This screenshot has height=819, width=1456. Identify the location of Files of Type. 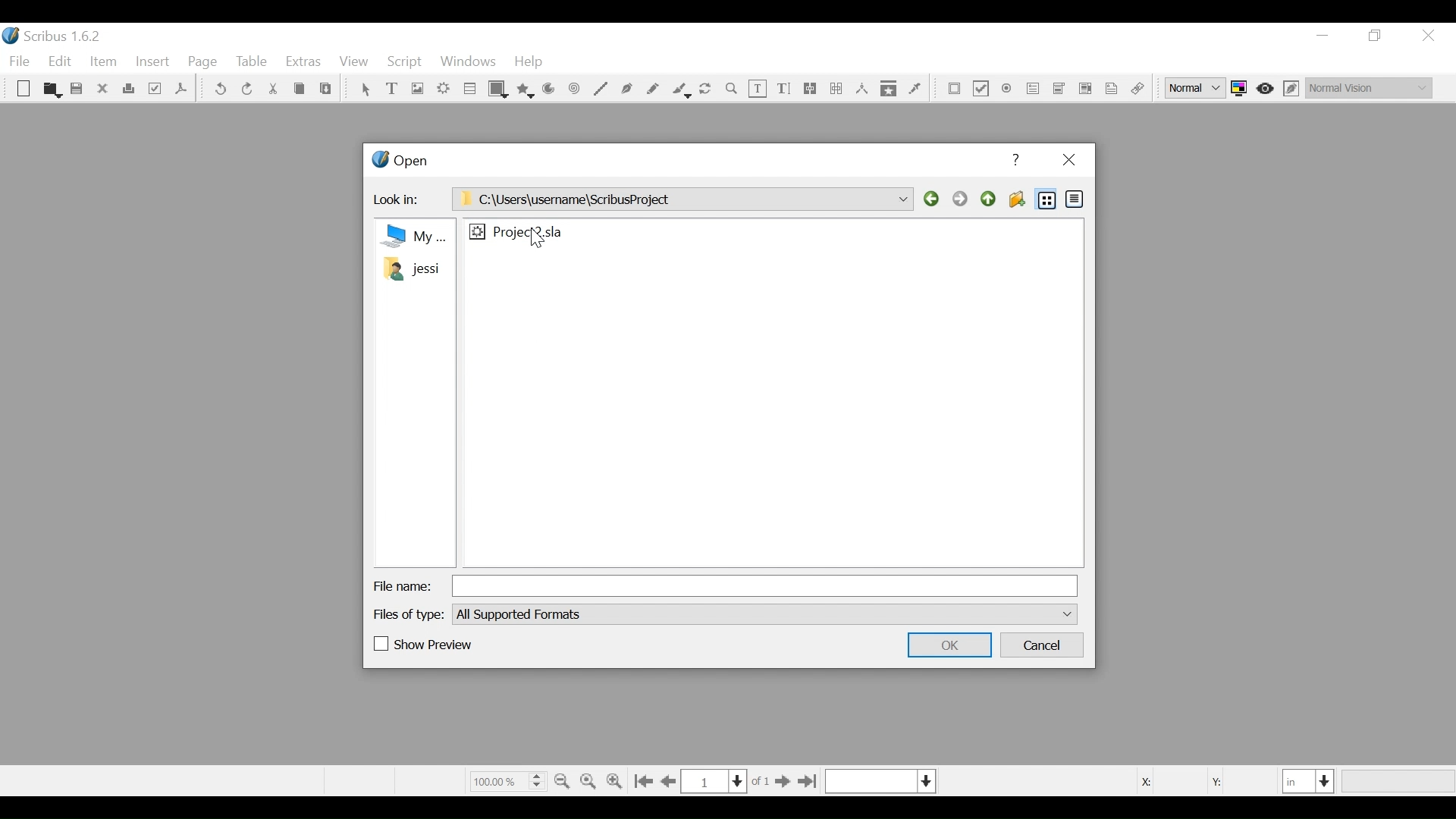
(410, 613).